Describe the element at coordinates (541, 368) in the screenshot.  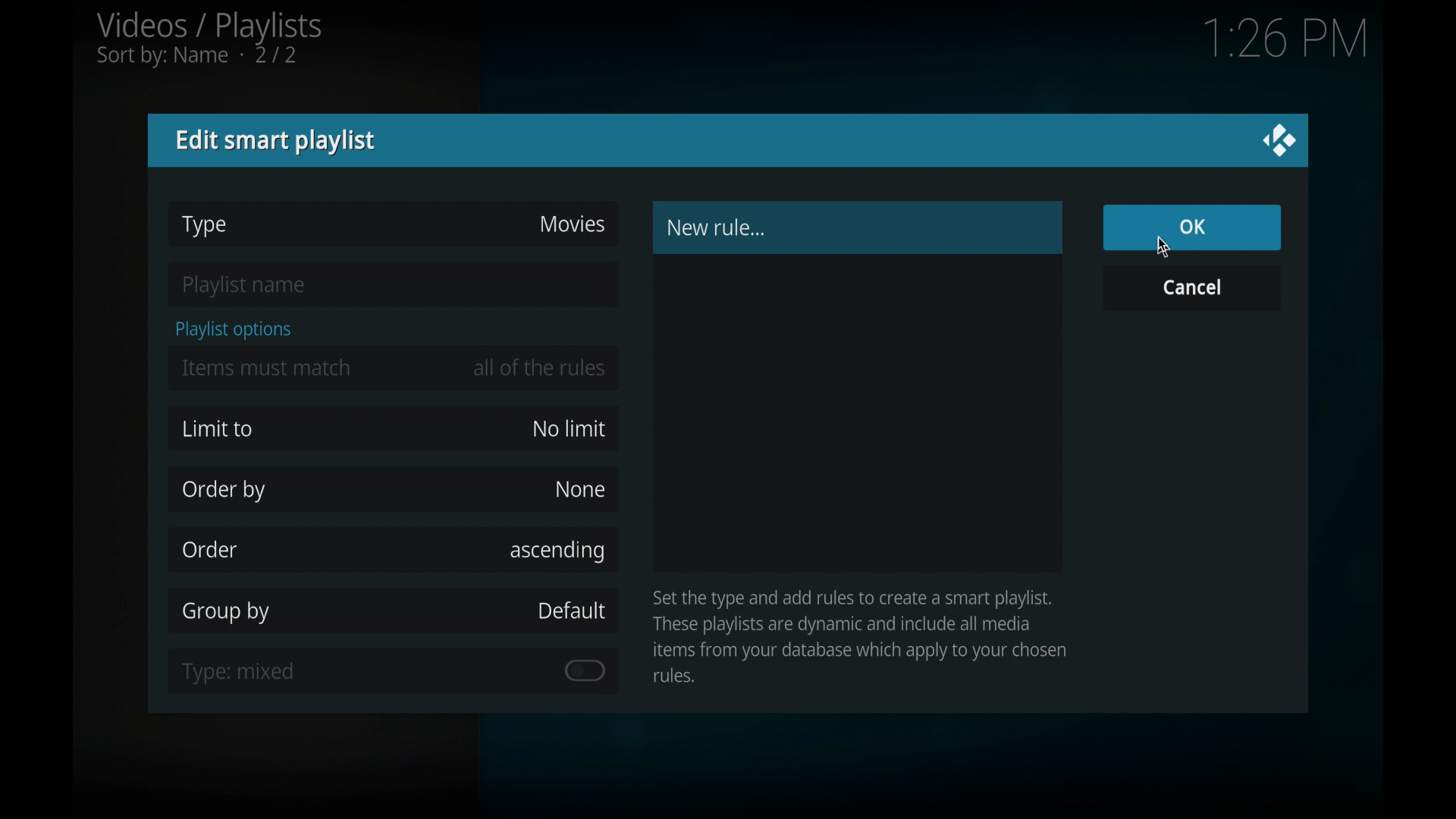
I see `all of the rules` at that location.